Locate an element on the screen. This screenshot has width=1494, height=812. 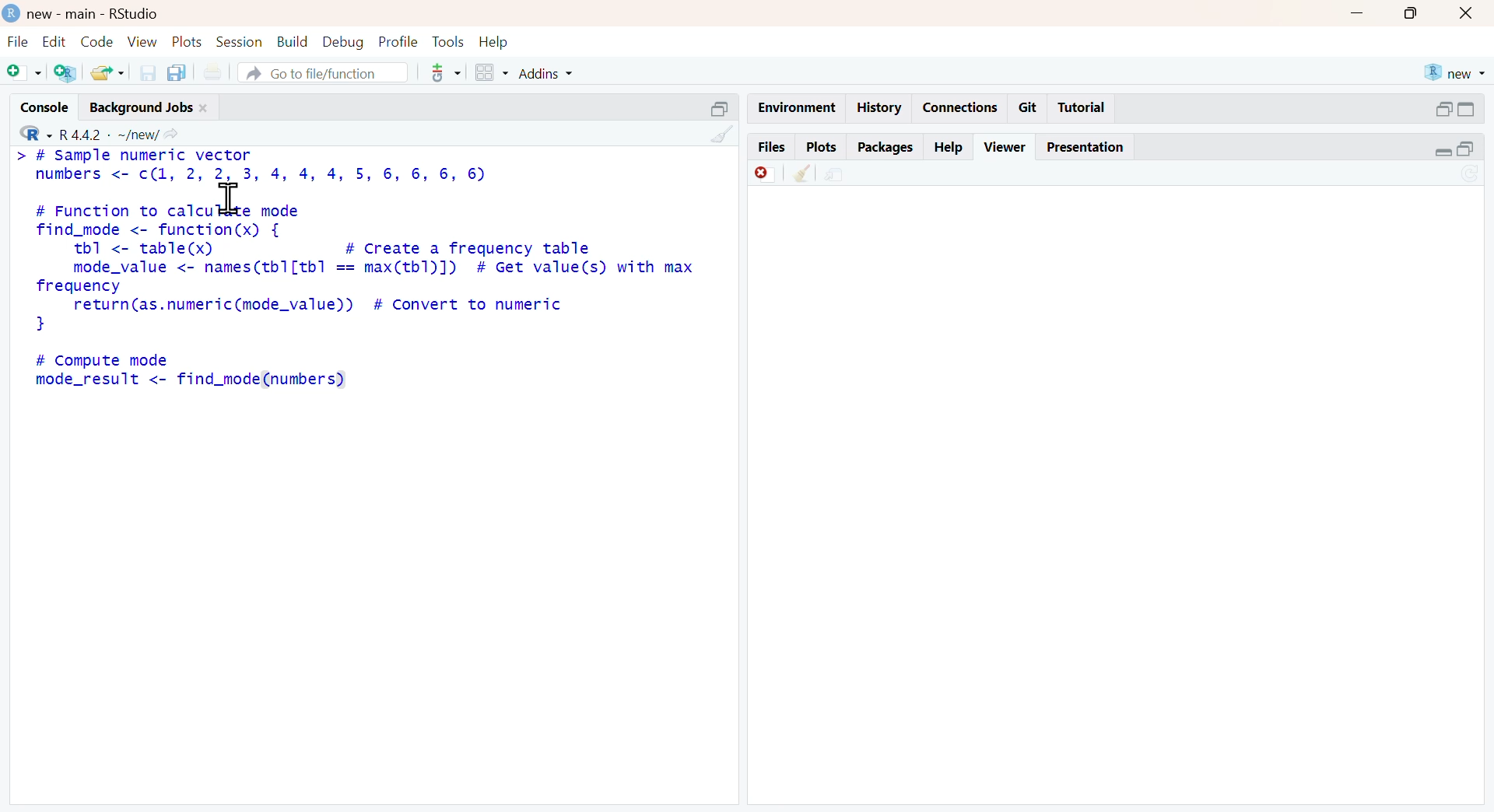
tools is located at coordinates (450, 41).